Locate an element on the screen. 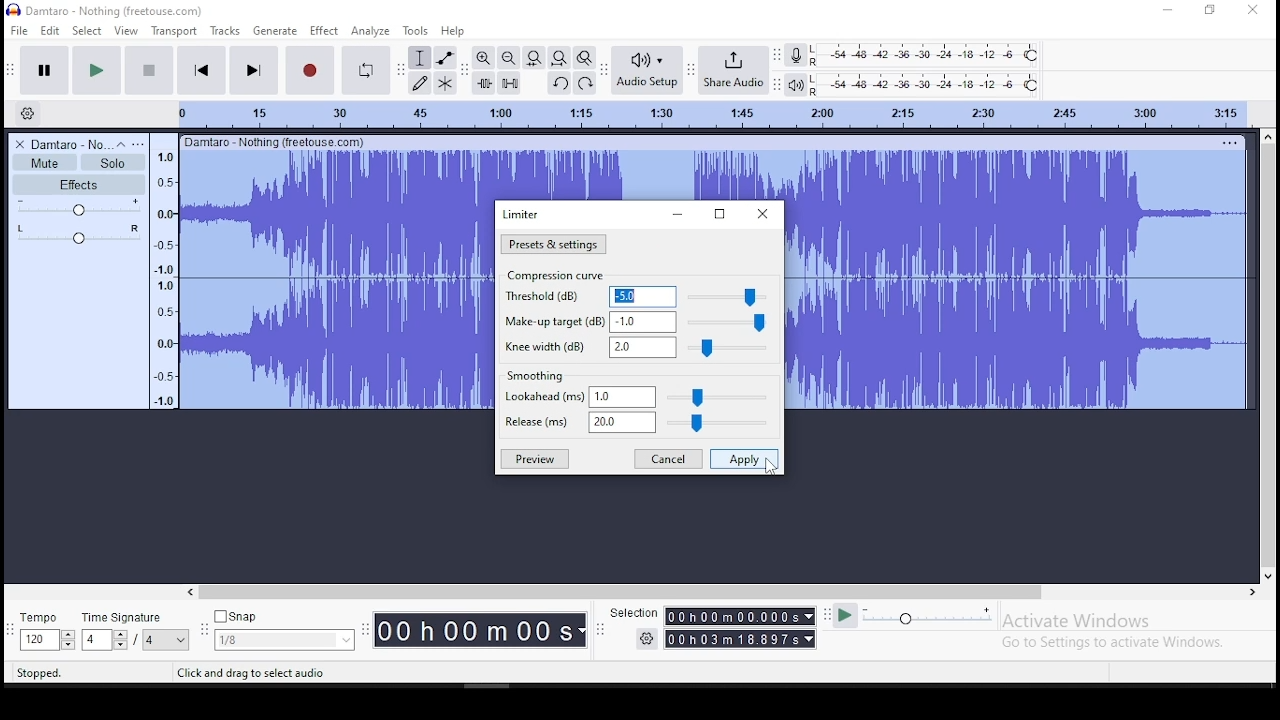  selection tool is located at coordinates (419, 58).